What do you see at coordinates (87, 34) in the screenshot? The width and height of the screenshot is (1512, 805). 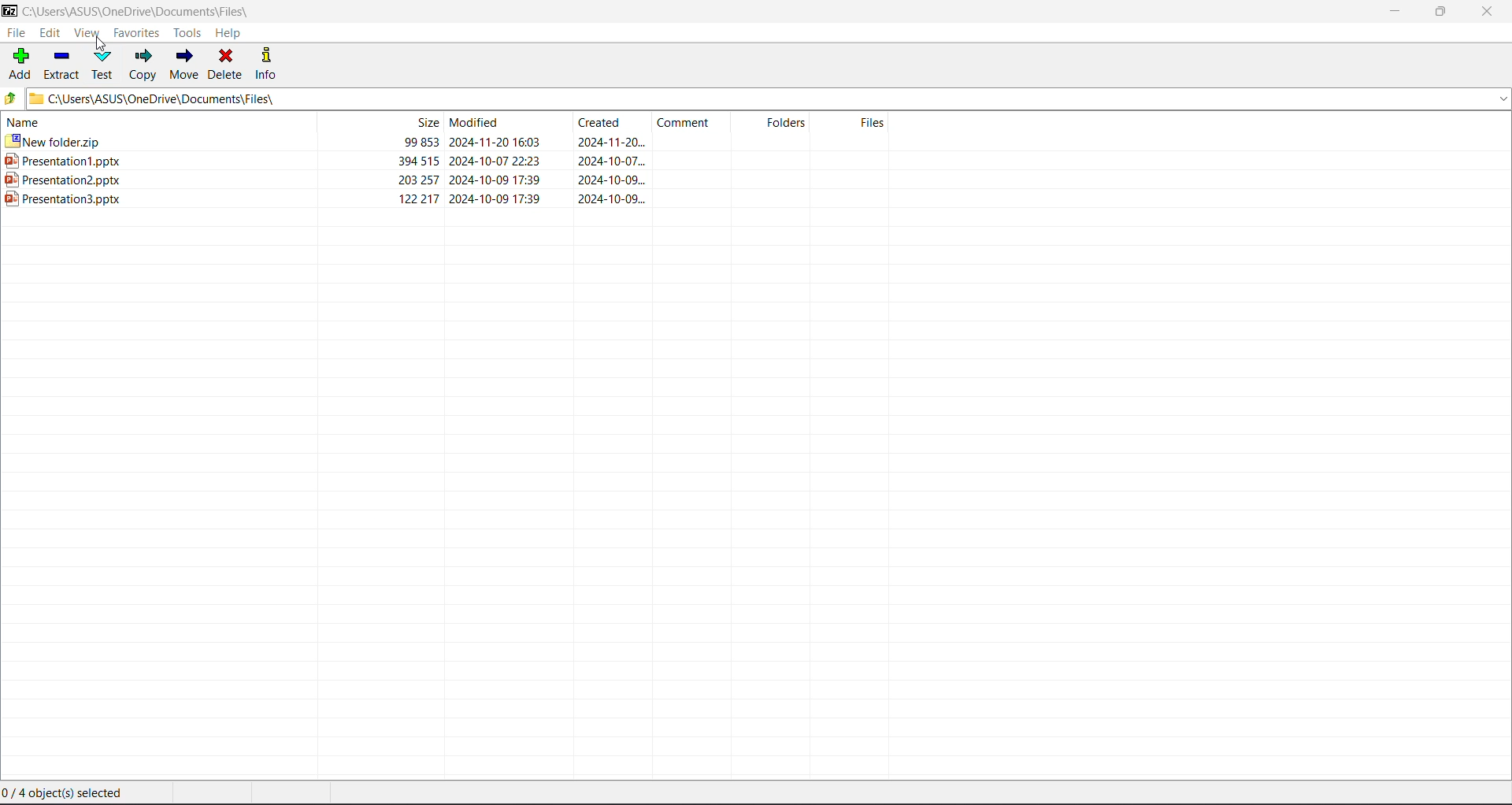 I see `View` at bounding box center [87, 34].